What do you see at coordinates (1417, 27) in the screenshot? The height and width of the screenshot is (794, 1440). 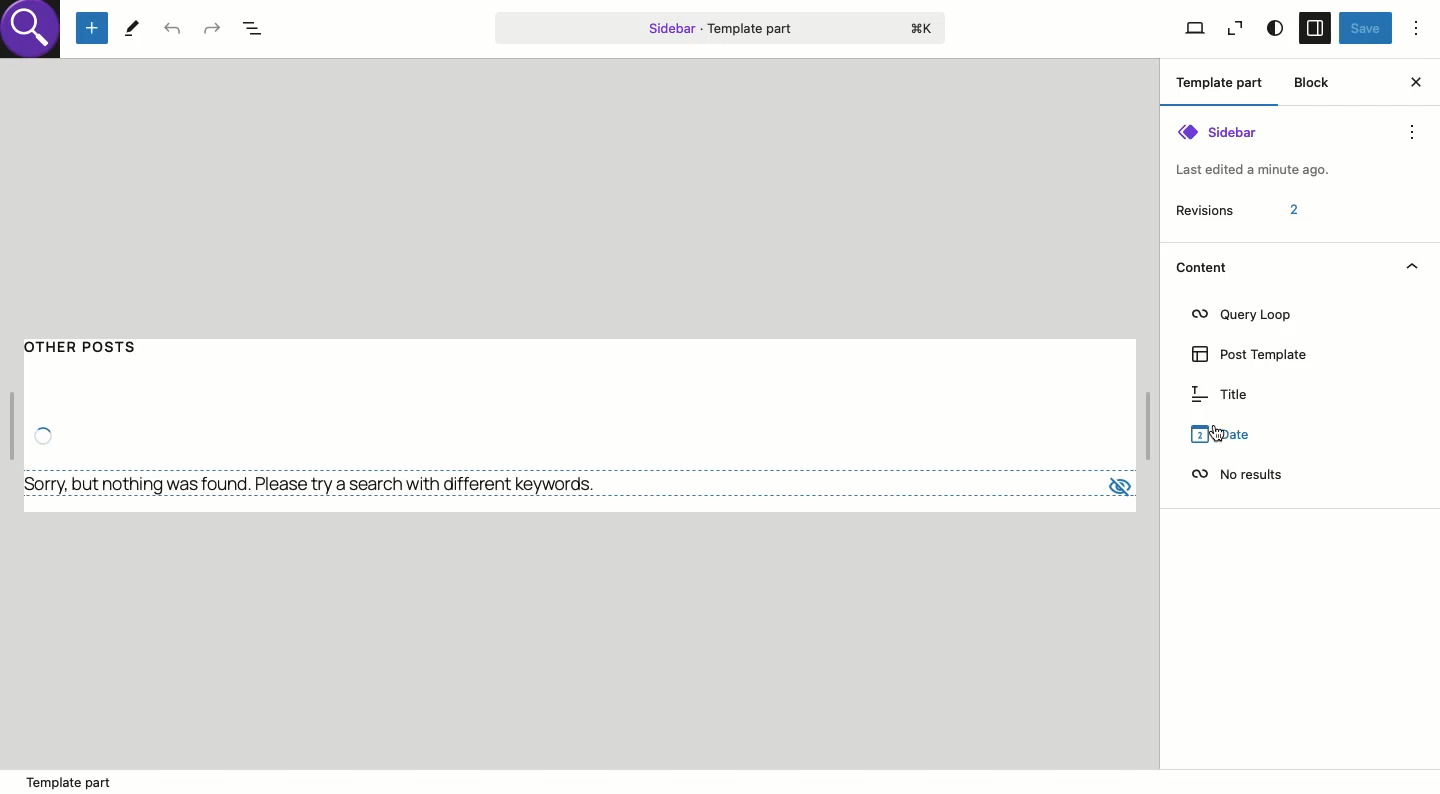 I see `Options` at bounding box center [1417, 27].